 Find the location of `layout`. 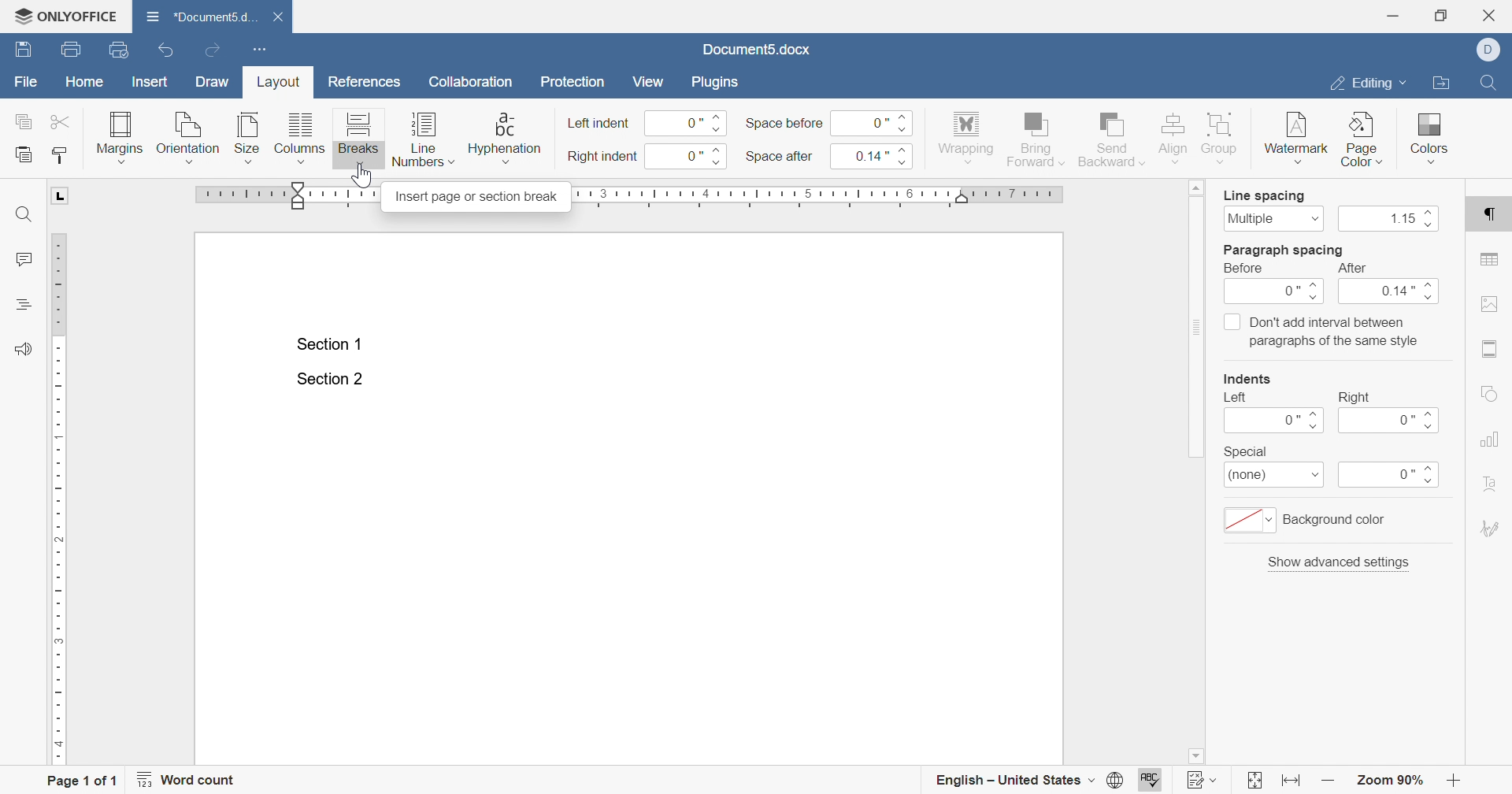

layout is located at coordinates (281, 84).